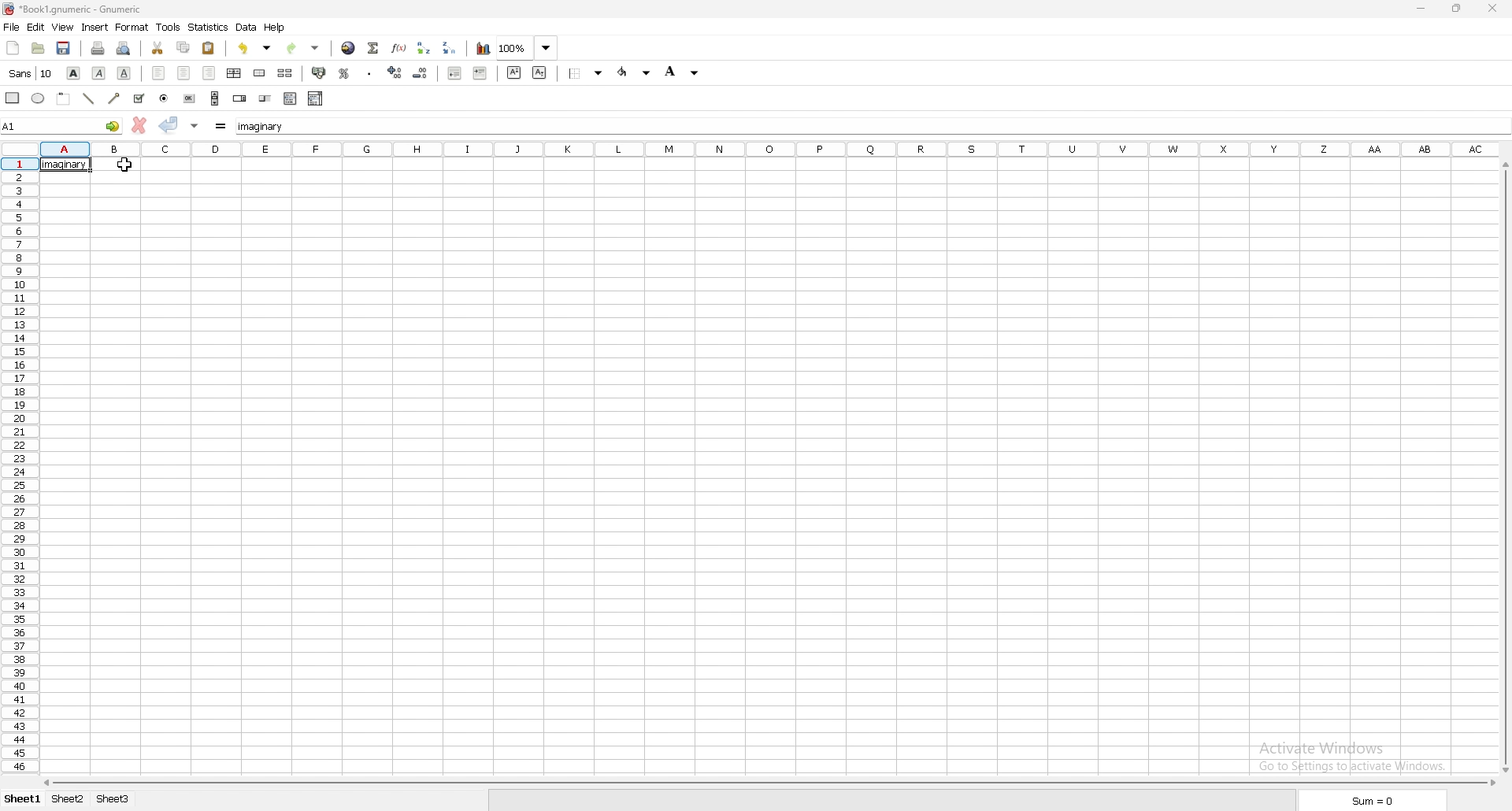 The height and width of the screenshot is (811, 1512). What do you see at coordinates (773, 150) in the screenshot?
I see `column` at bounding box center [773, 150].